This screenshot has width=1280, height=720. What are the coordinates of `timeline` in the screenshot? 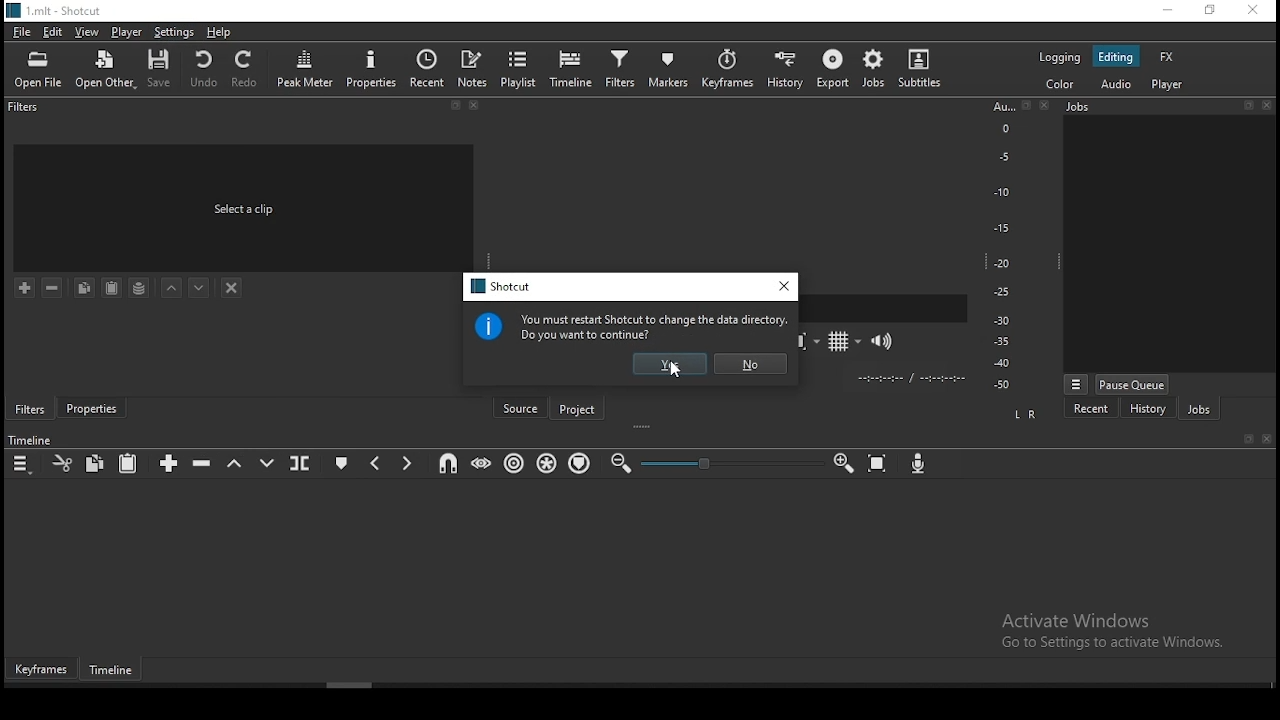 It's located at (116, 672).